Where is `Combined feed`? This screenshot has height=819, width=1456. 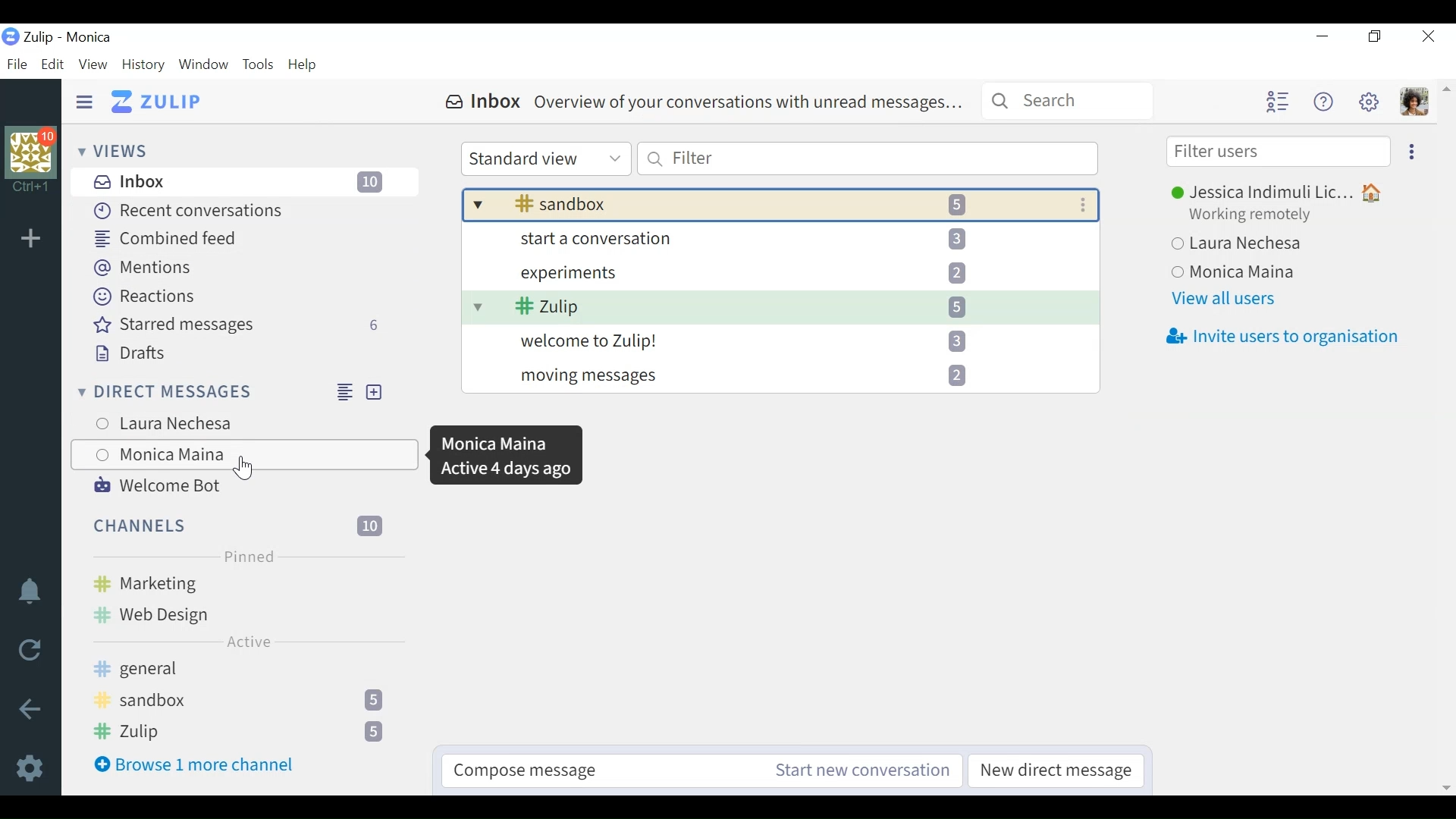
Combined feed is located at coordinates (162, 237).